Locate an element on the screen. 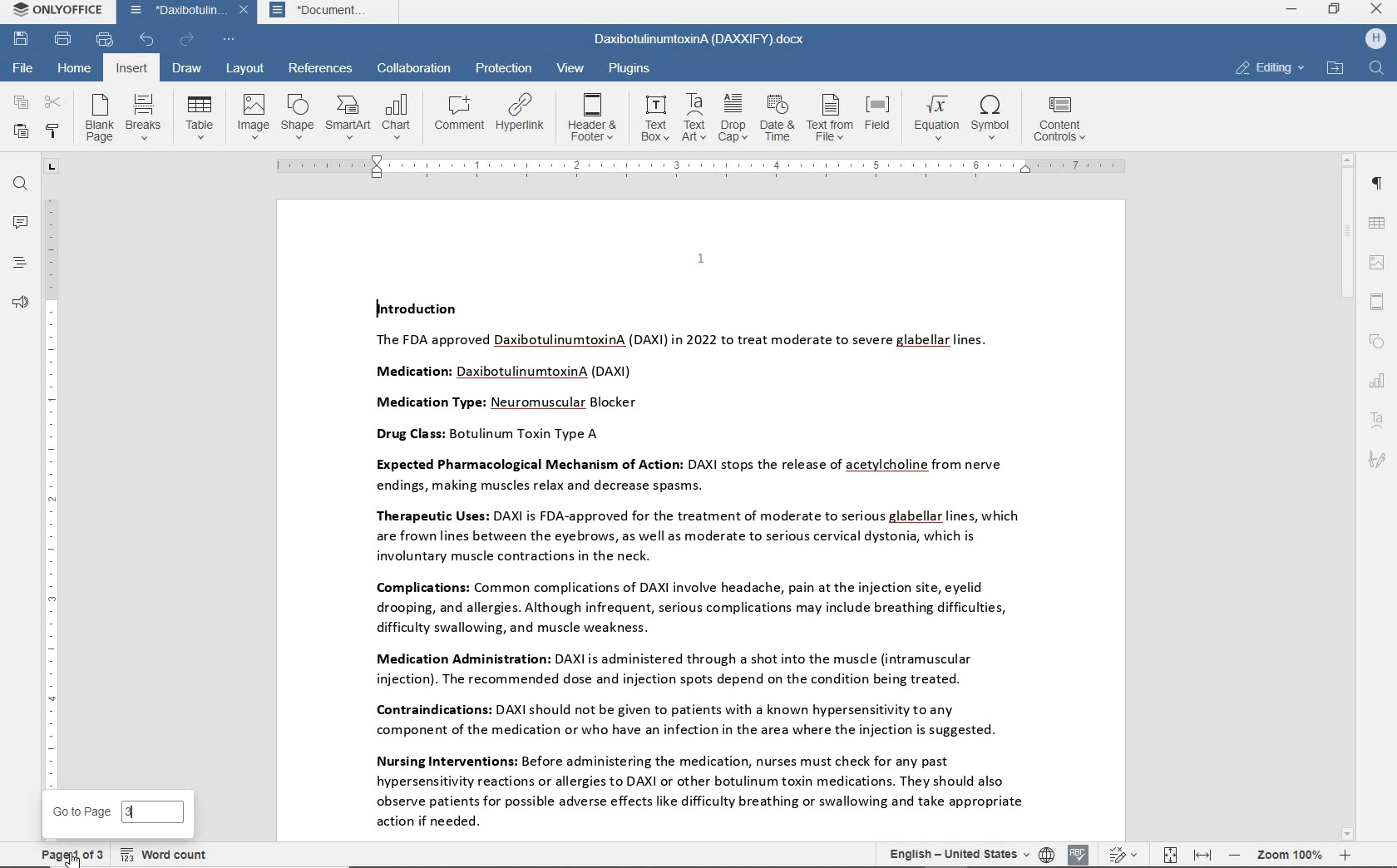 The image size is (1397, 868). track changes is located at coordinates (1122, 856).